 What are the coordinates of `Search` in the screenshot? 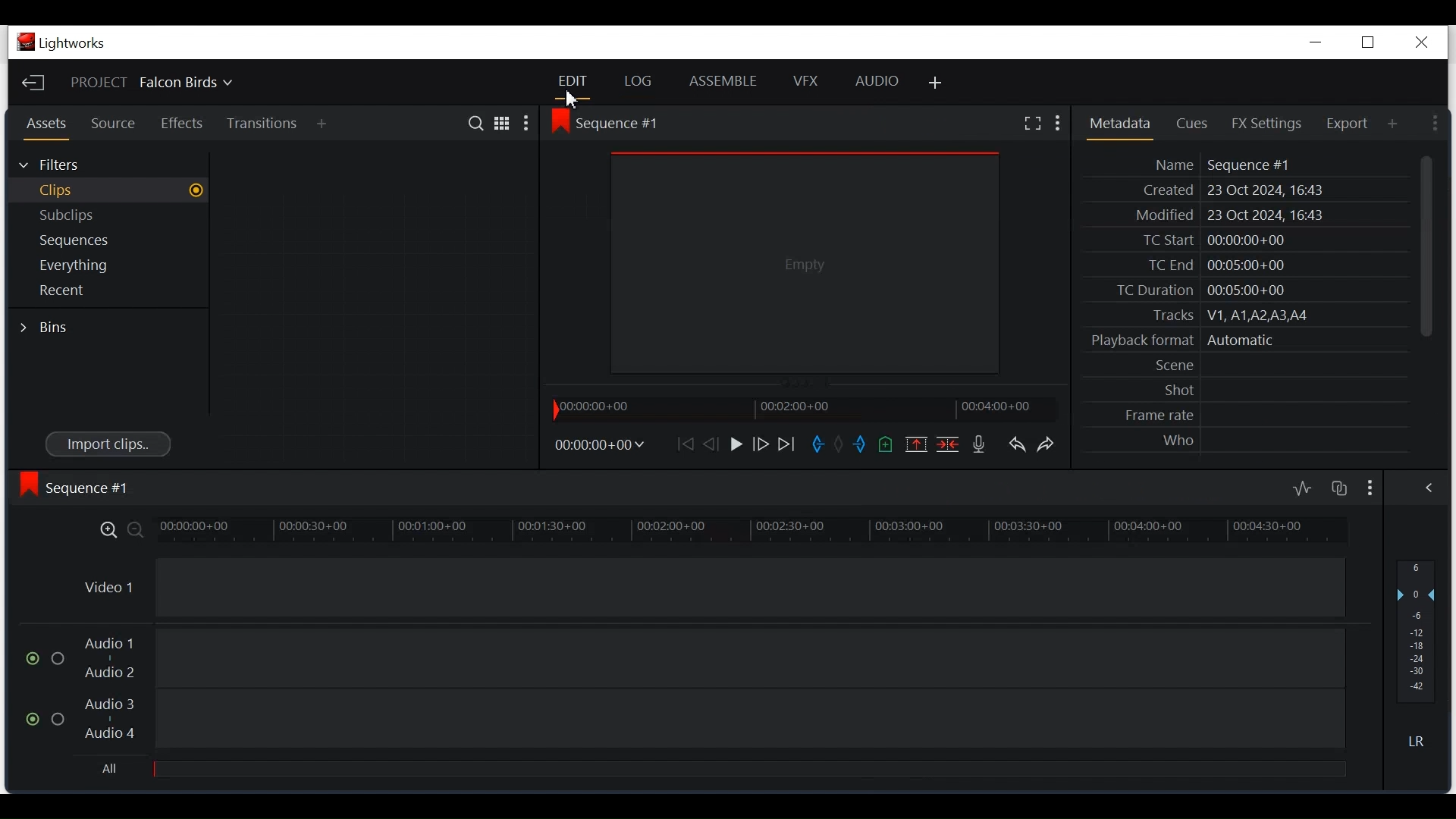 It's located at (474, 122).